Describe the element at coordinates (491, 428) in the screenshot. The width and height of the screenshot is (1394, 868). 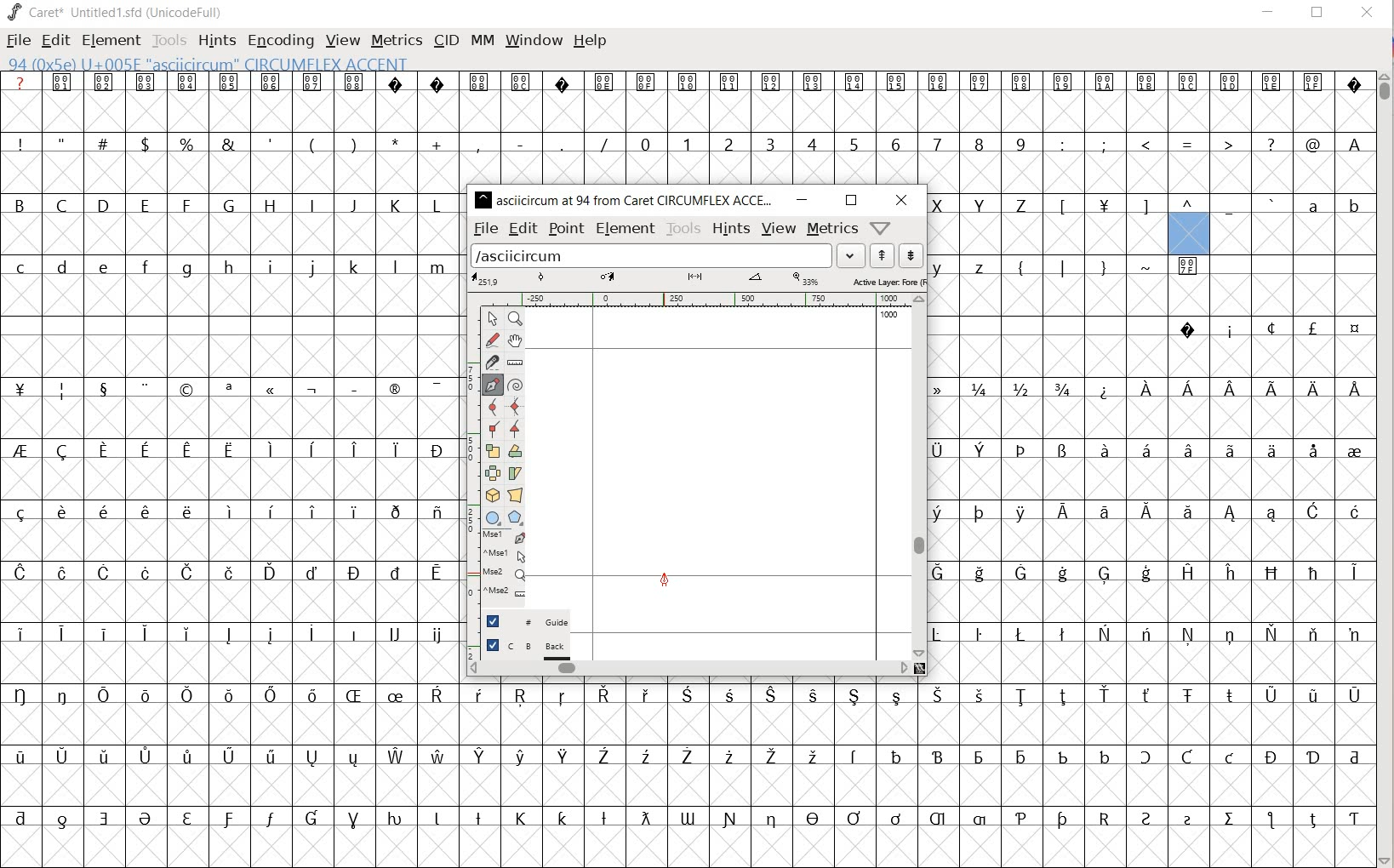
I see `Add a corner point` at that location.